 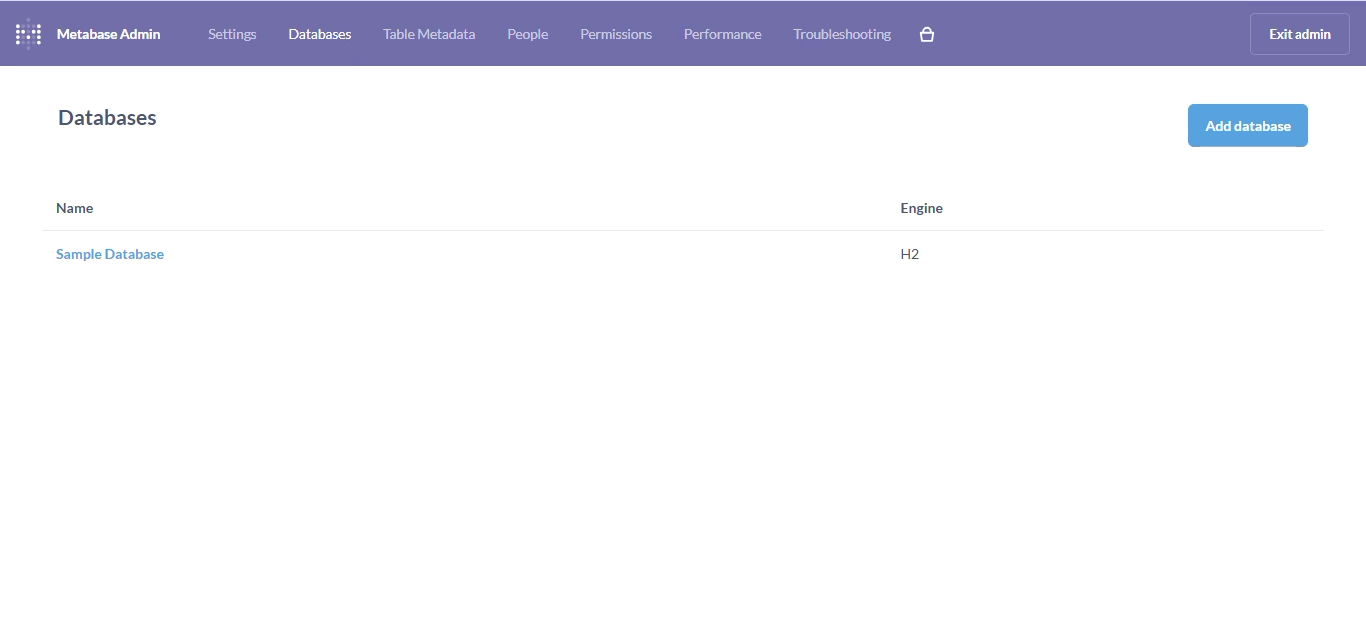 I want to click on databases, so click(x=108, y=118).